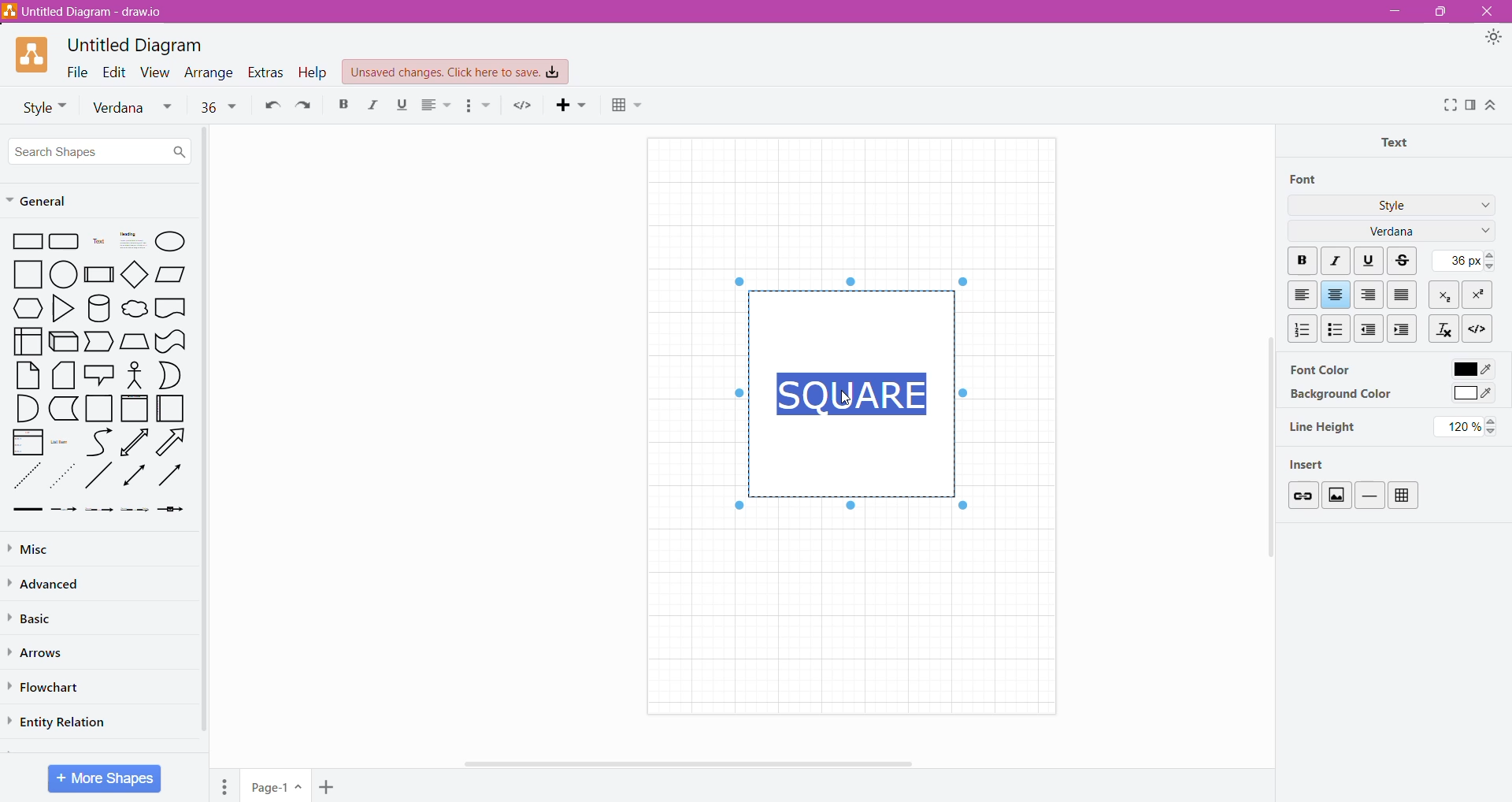 The width and height of the screenshot is (1512, 802). Describe the element at coordinates (401, 105) in the screenshot. I see `Underline` at that location.